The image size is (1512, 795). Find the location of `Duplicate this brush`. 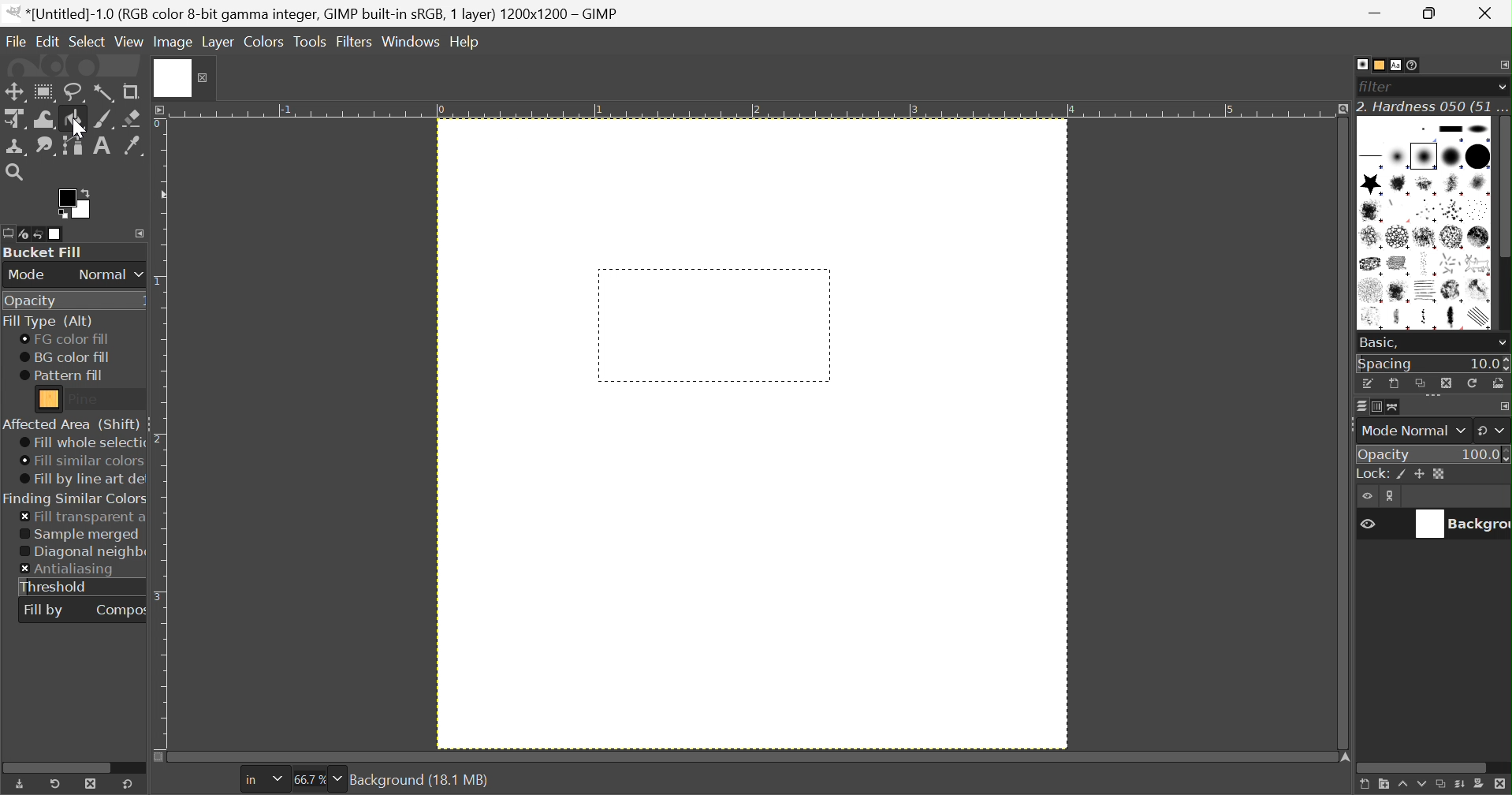

Duplicate this brush is located at coordinates (1420, 383).